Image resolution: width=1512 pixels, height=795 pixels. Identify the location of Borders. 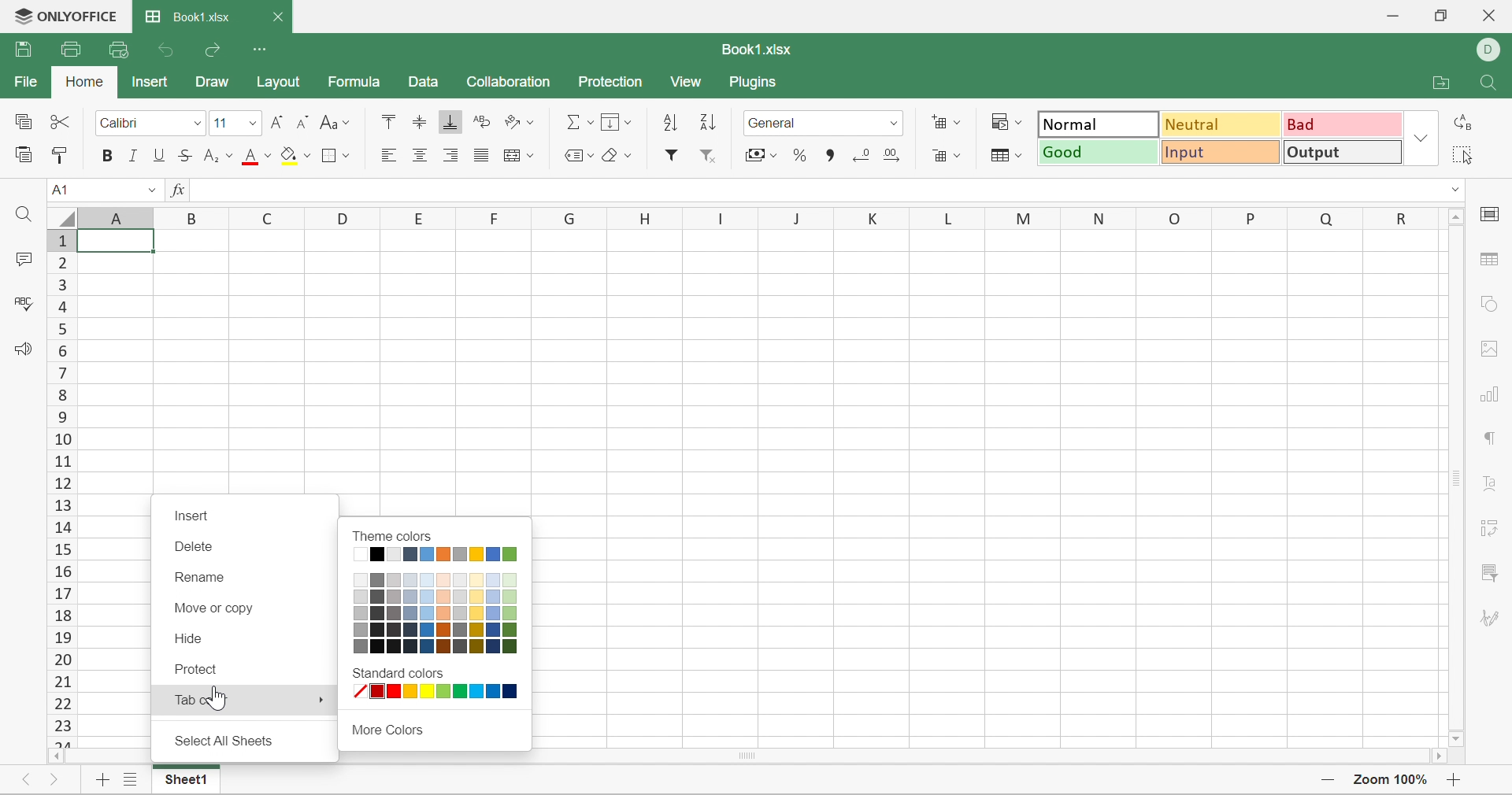
(337, 155).